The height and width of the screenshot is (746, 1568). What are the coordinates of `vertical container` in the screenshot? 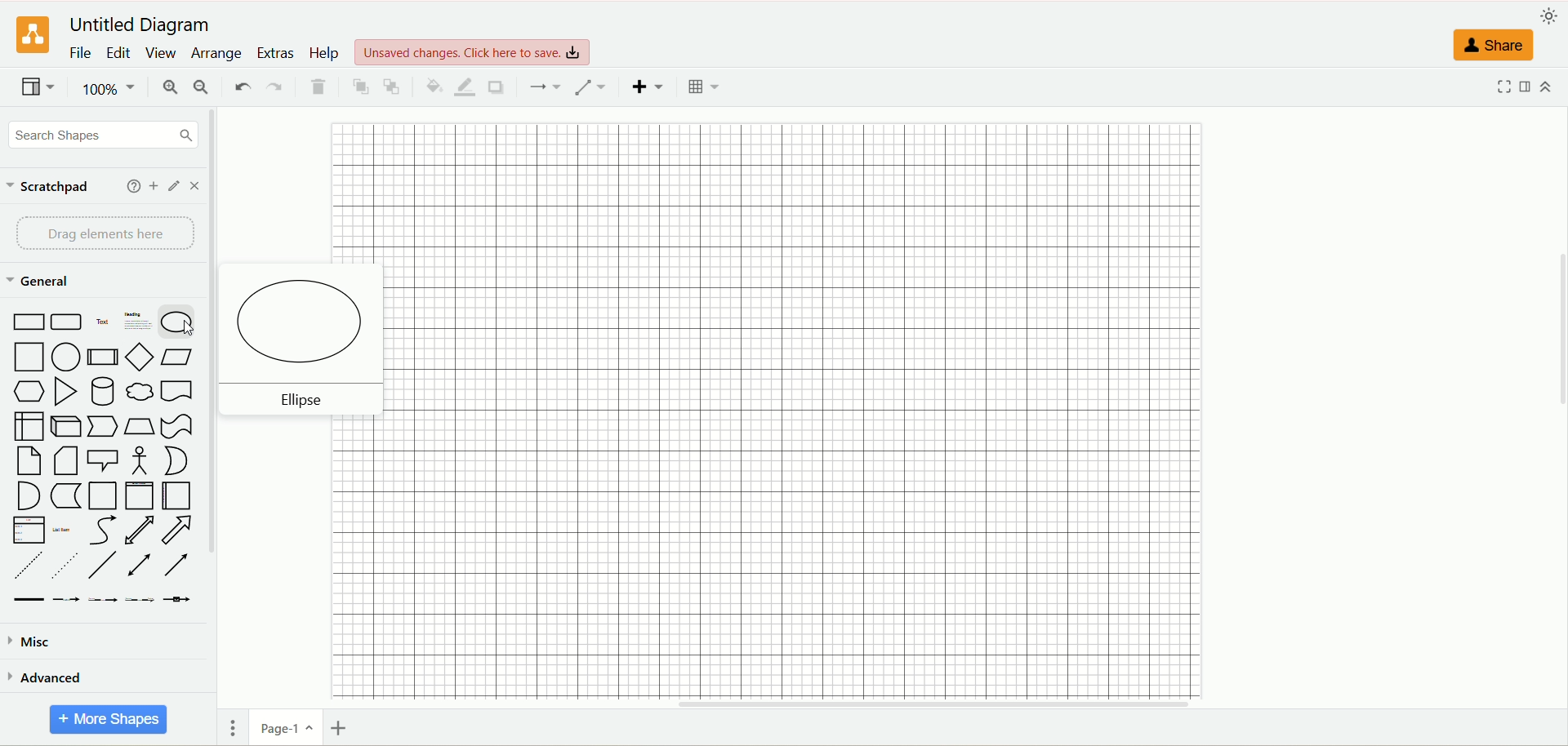 It's located at (140, 495).